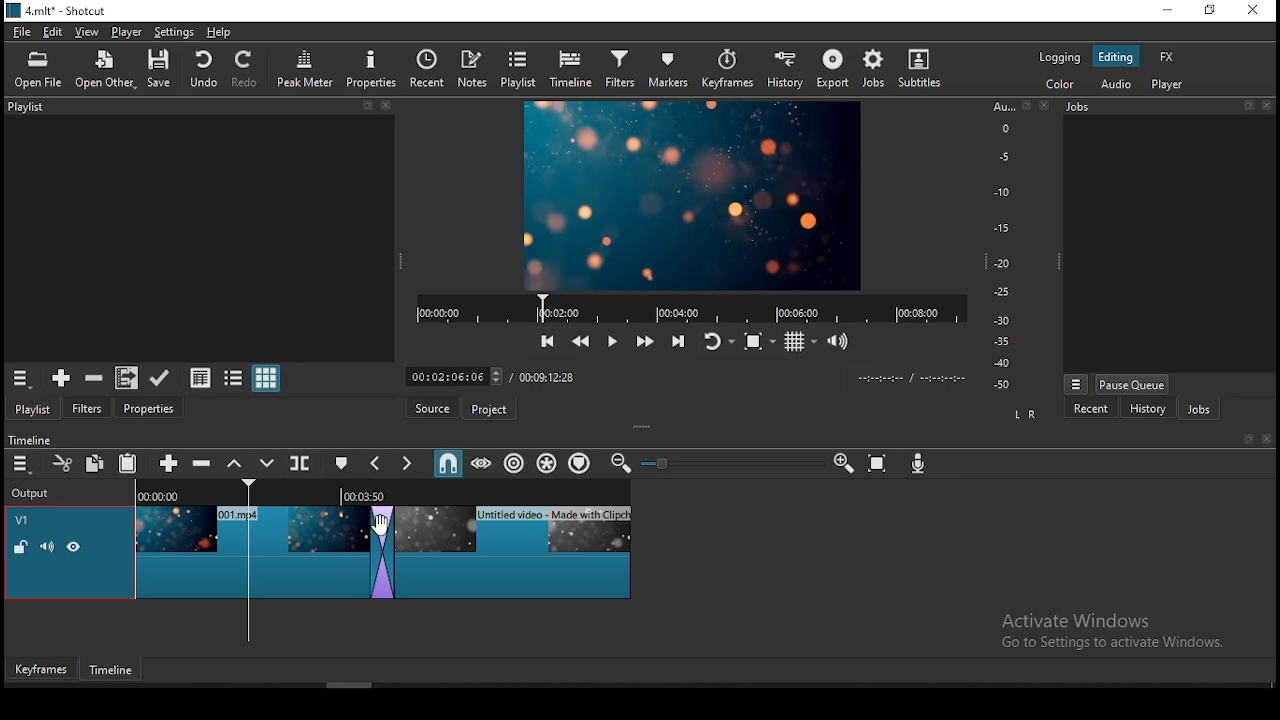  I want to click on ripple markers, so click(580, 464).